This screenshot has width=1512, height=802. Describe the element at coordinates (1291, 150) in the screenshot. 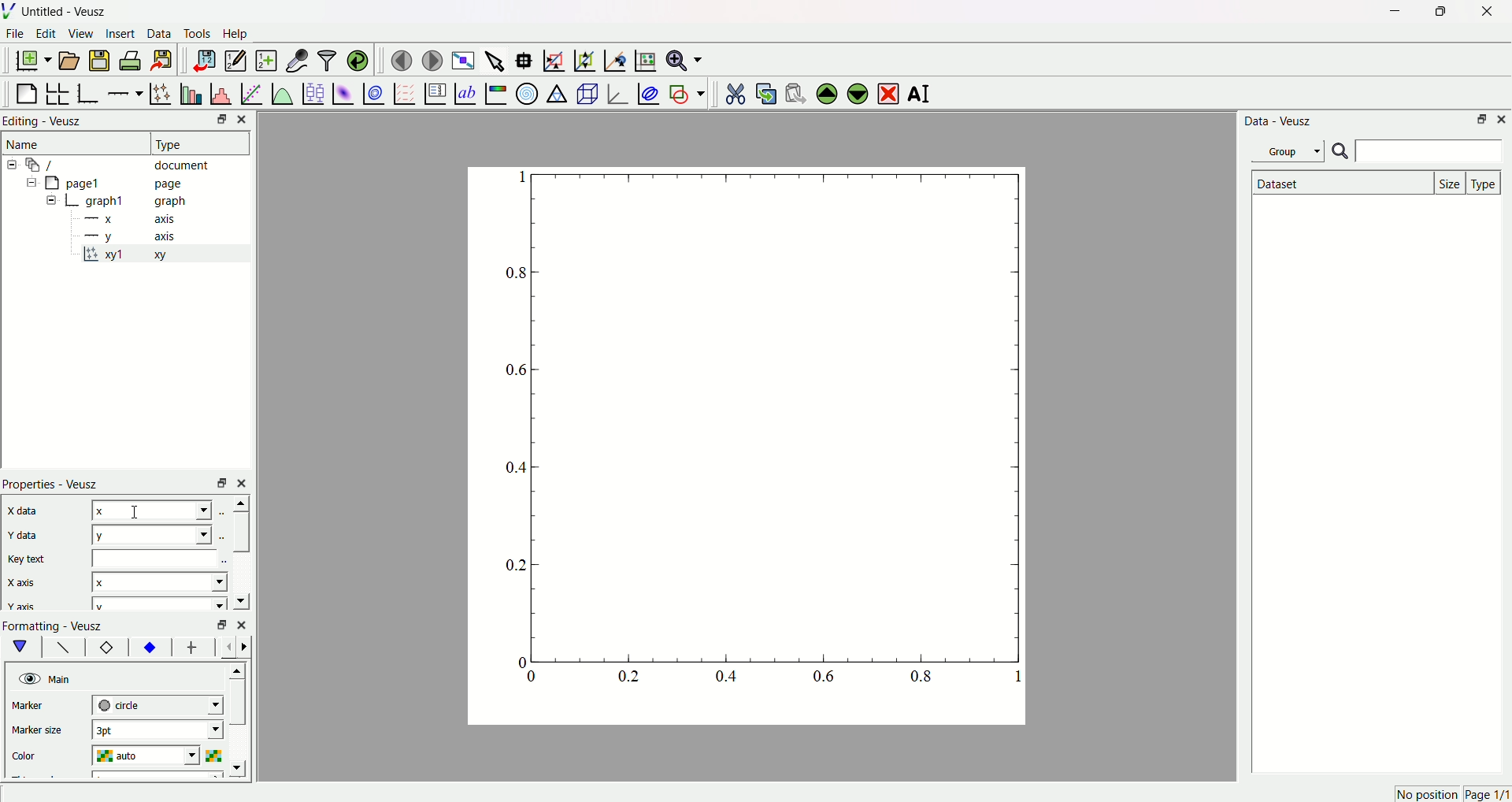

I see `Group` at that location.